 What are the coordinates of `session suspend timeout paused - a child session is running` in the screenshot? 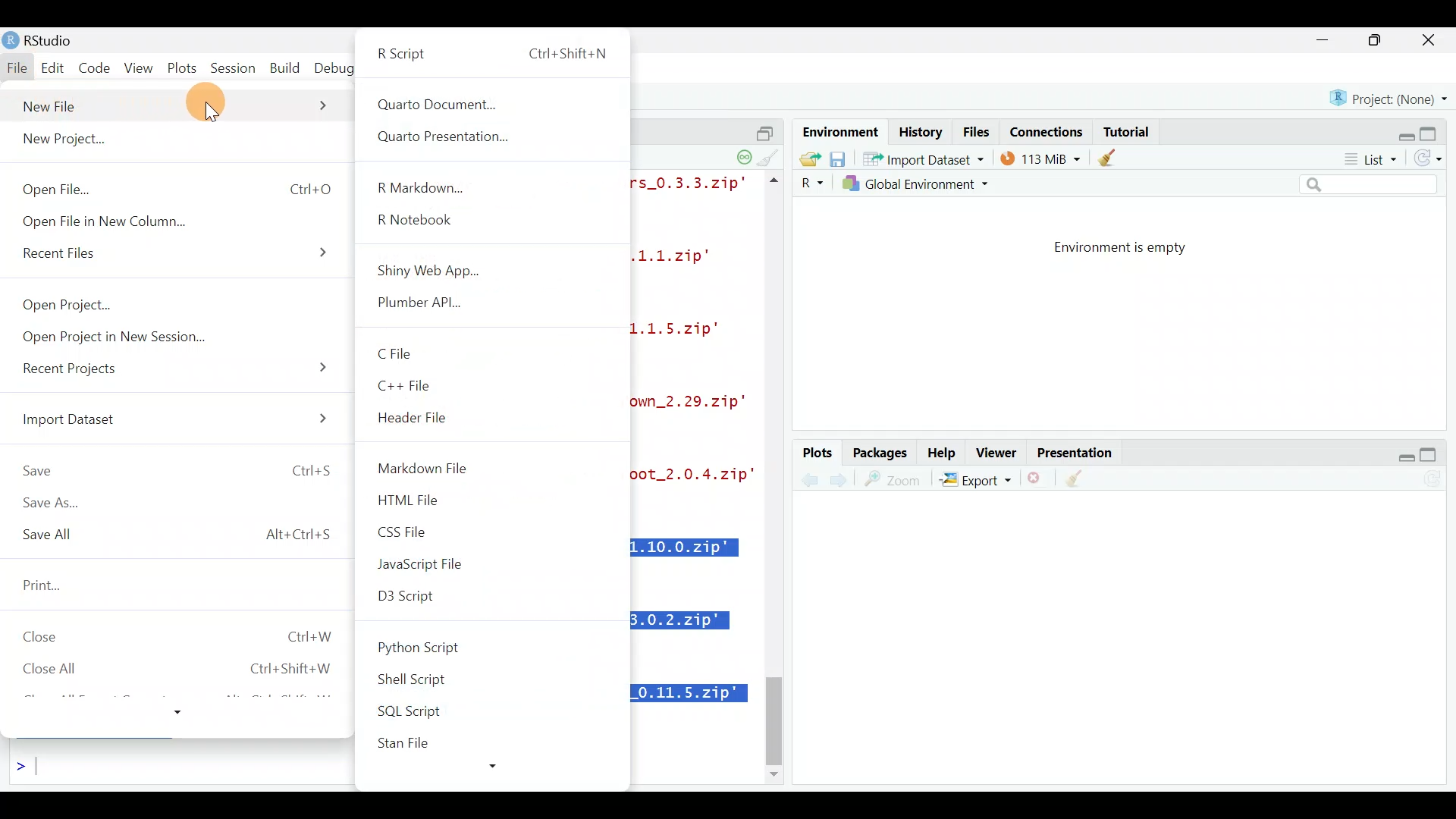 It's located at (743, 152).